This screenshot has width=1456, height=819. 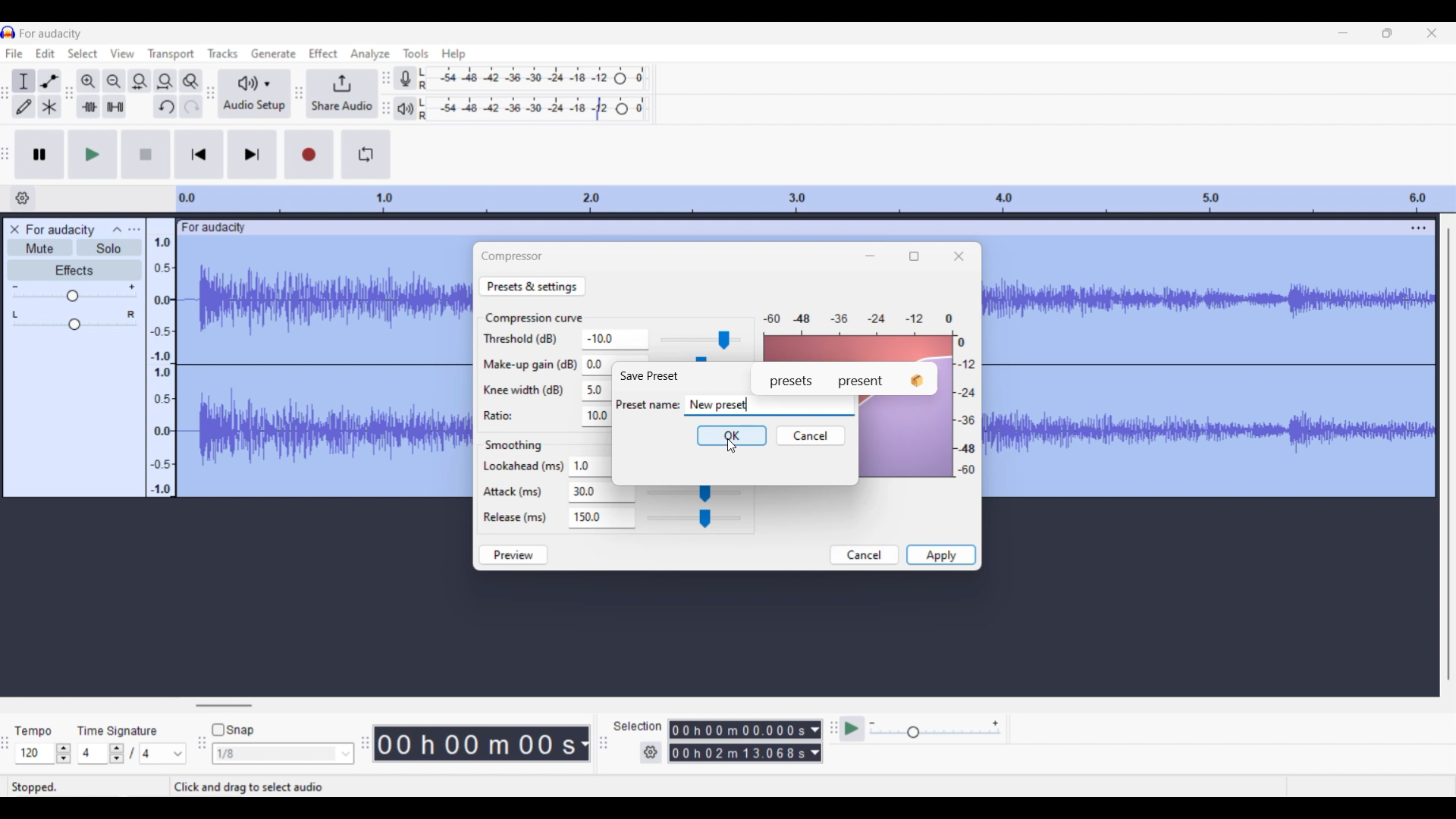 I want to click on Smoothing, so click(x=513, y=446).